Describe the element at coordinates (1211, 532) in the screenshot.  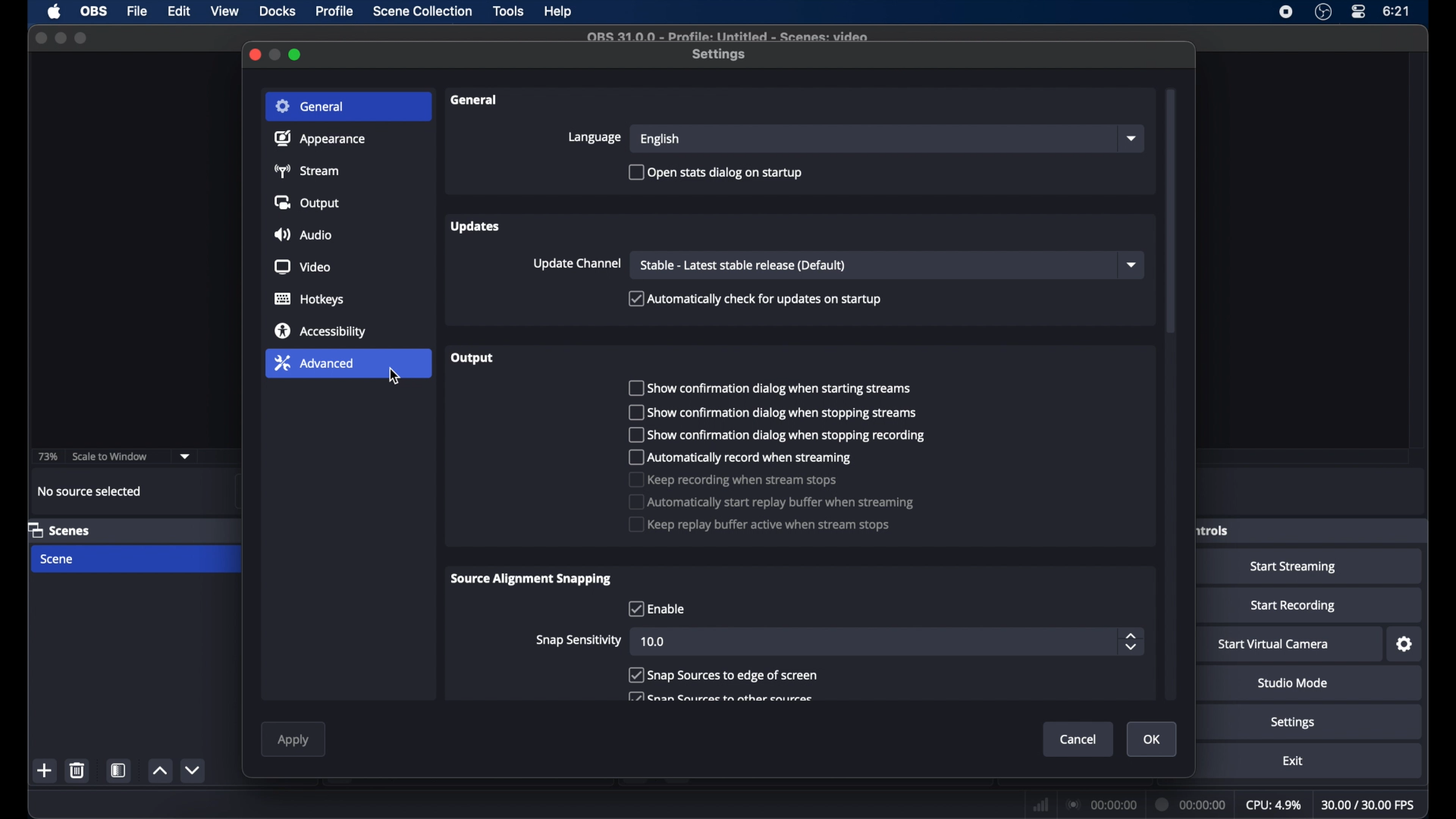
I see `controls` at that location.